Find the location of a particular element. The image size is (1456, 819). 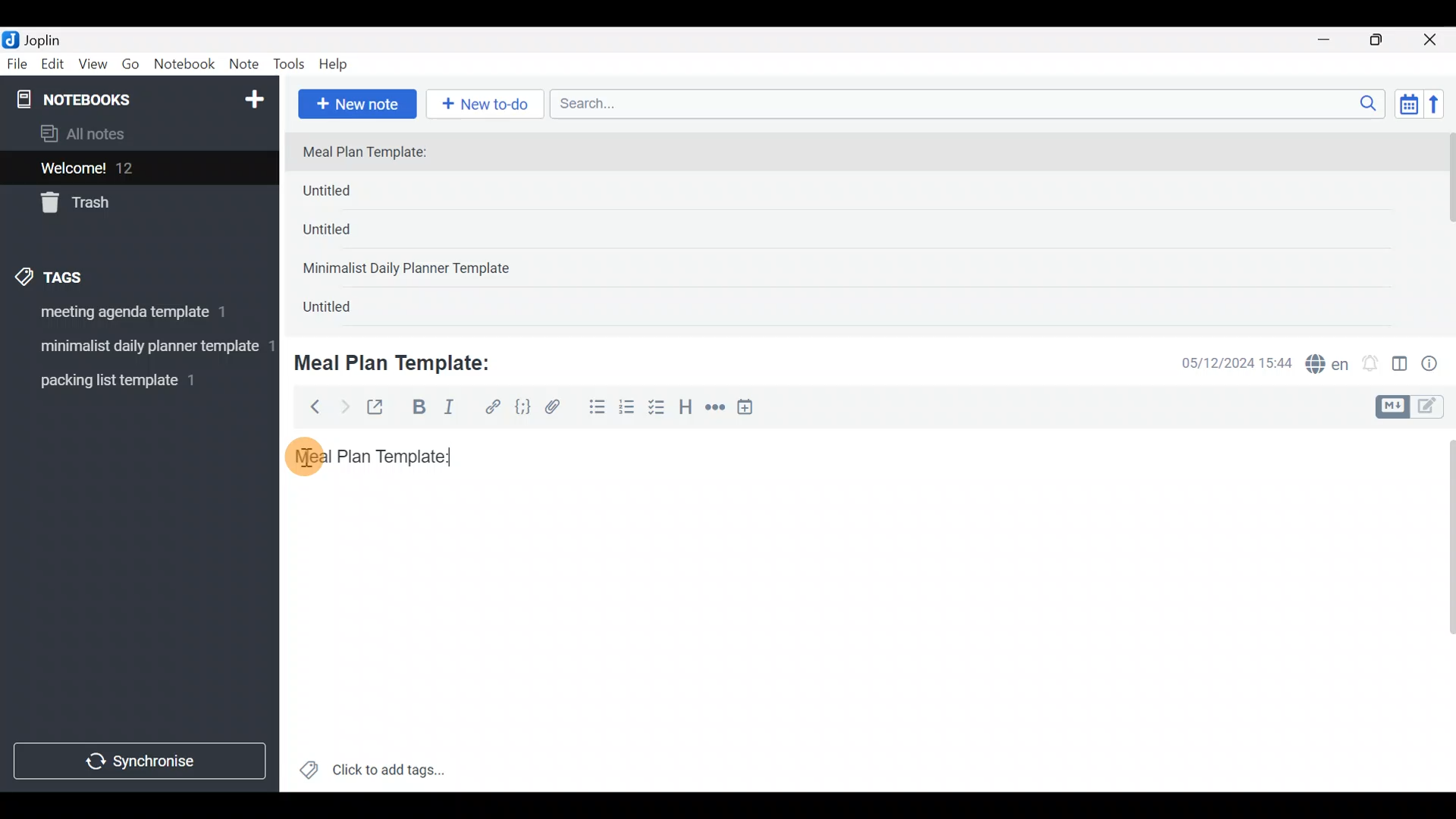

Note is located at coordinates (247, 65).